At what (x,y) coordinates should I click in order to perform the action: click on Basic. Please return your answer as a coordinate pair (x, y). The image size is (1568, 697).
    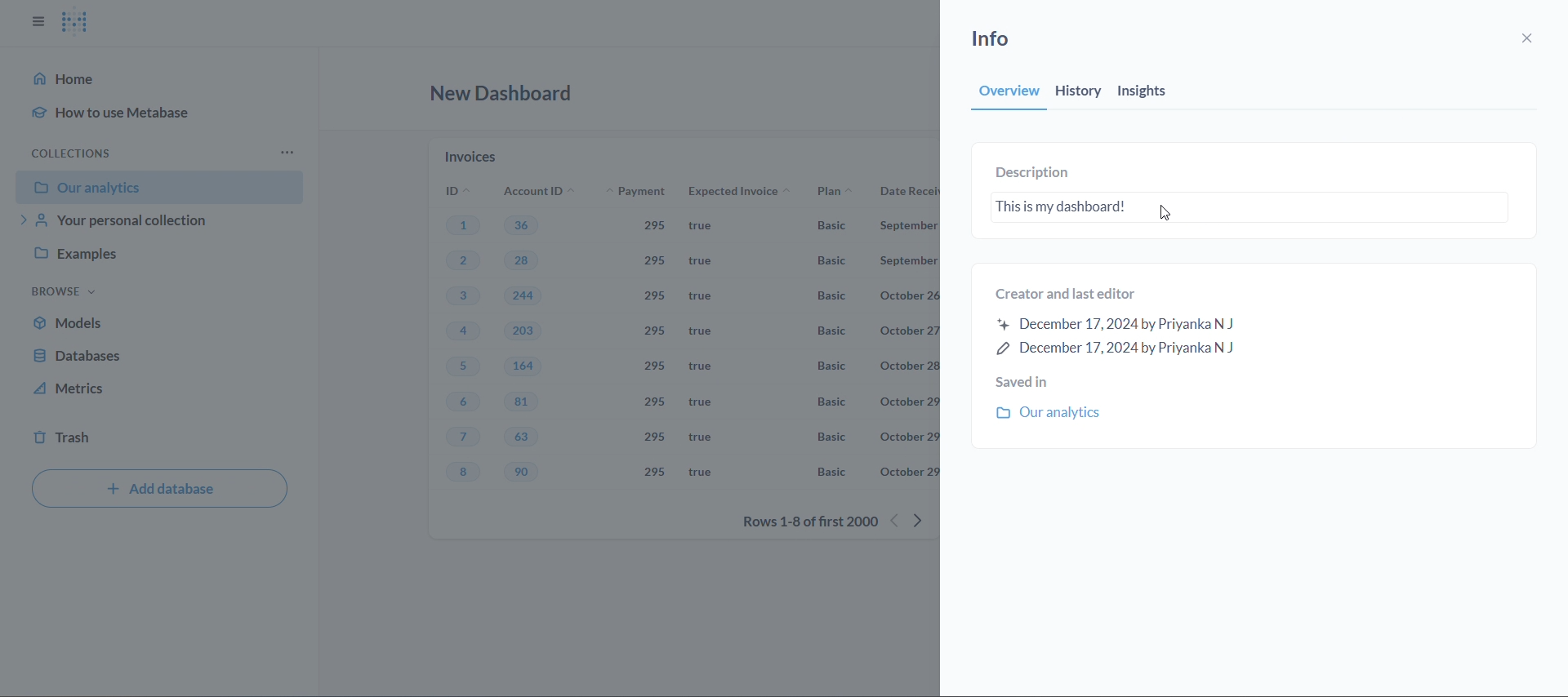
    Looking at the image, I should click on (835, 331).